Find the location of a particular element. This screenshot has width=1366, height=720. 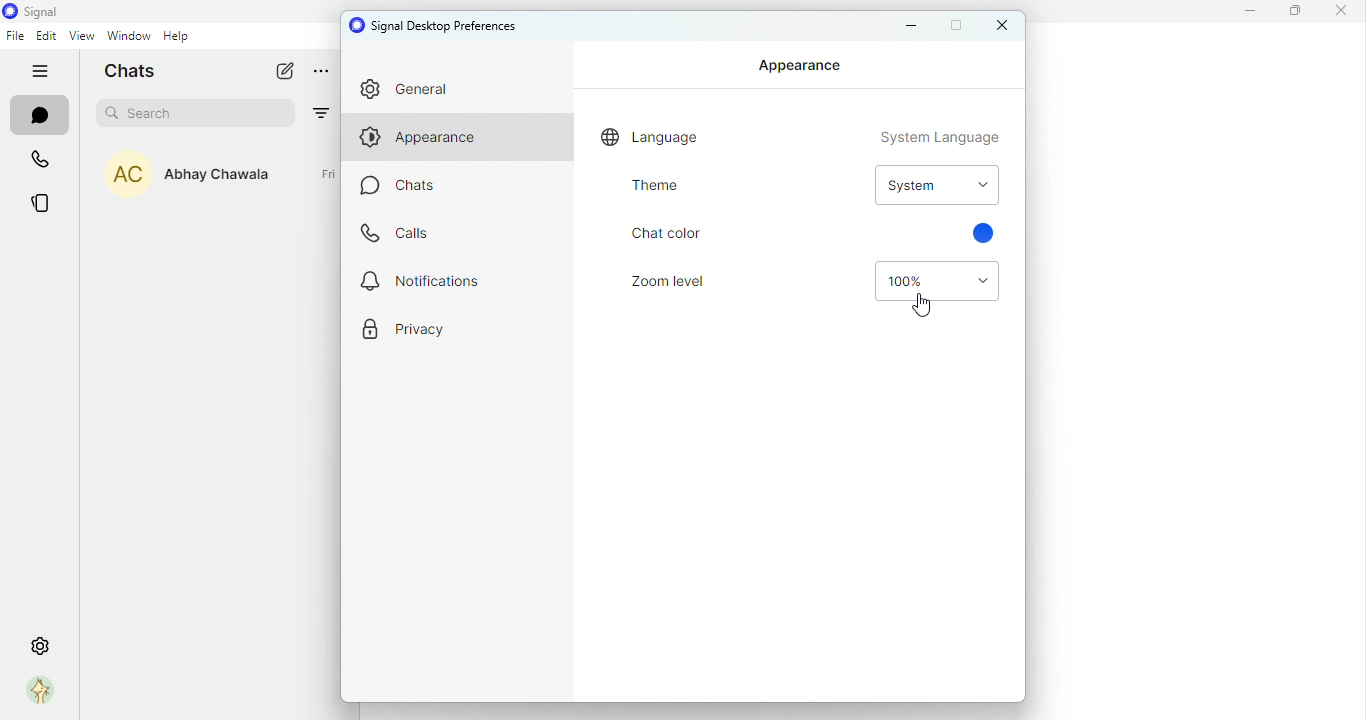

help is located at coordinates (177, 40).